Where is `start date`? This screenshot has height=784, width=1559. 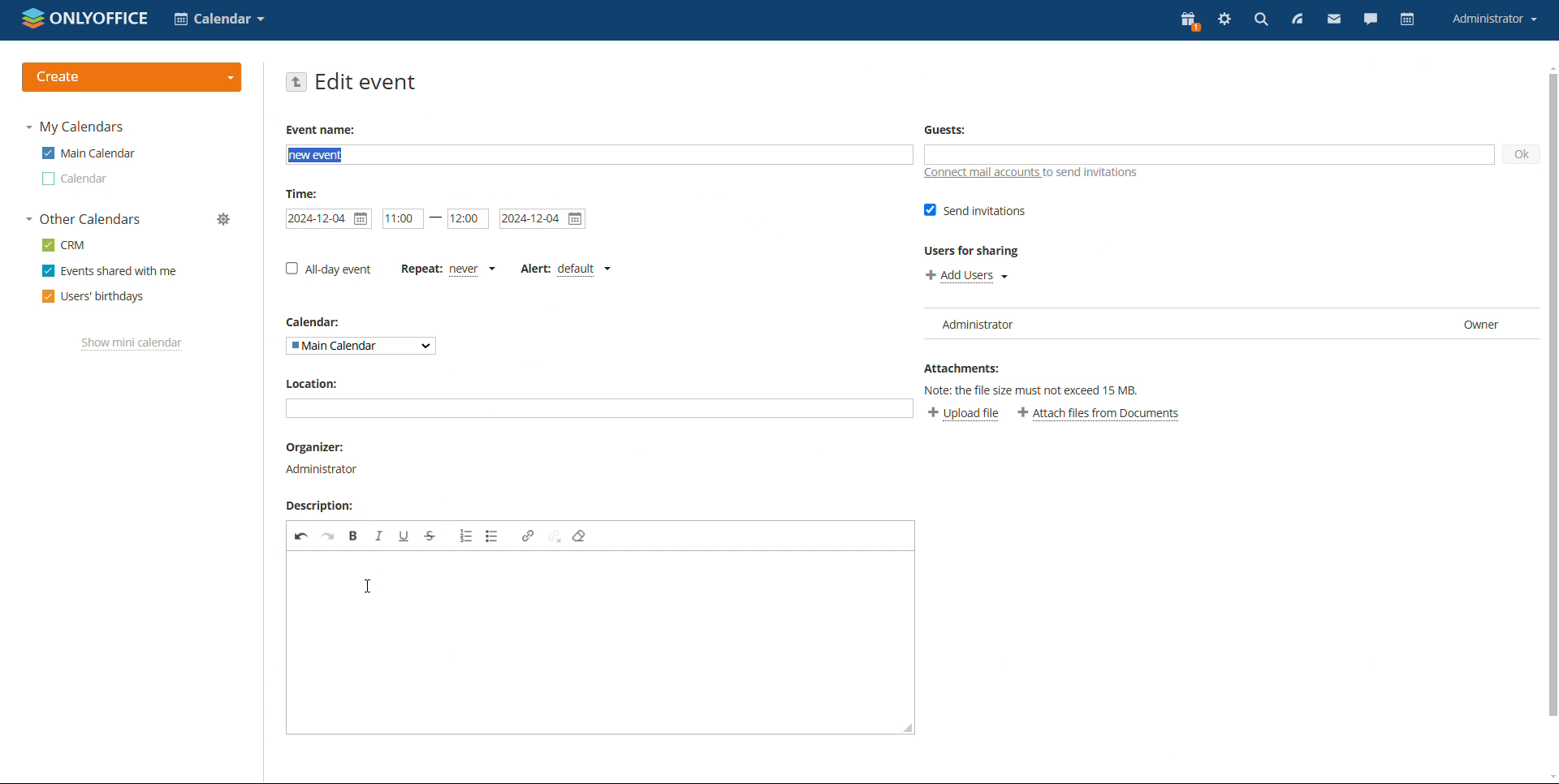
start date is located at coordinates (403, 218).